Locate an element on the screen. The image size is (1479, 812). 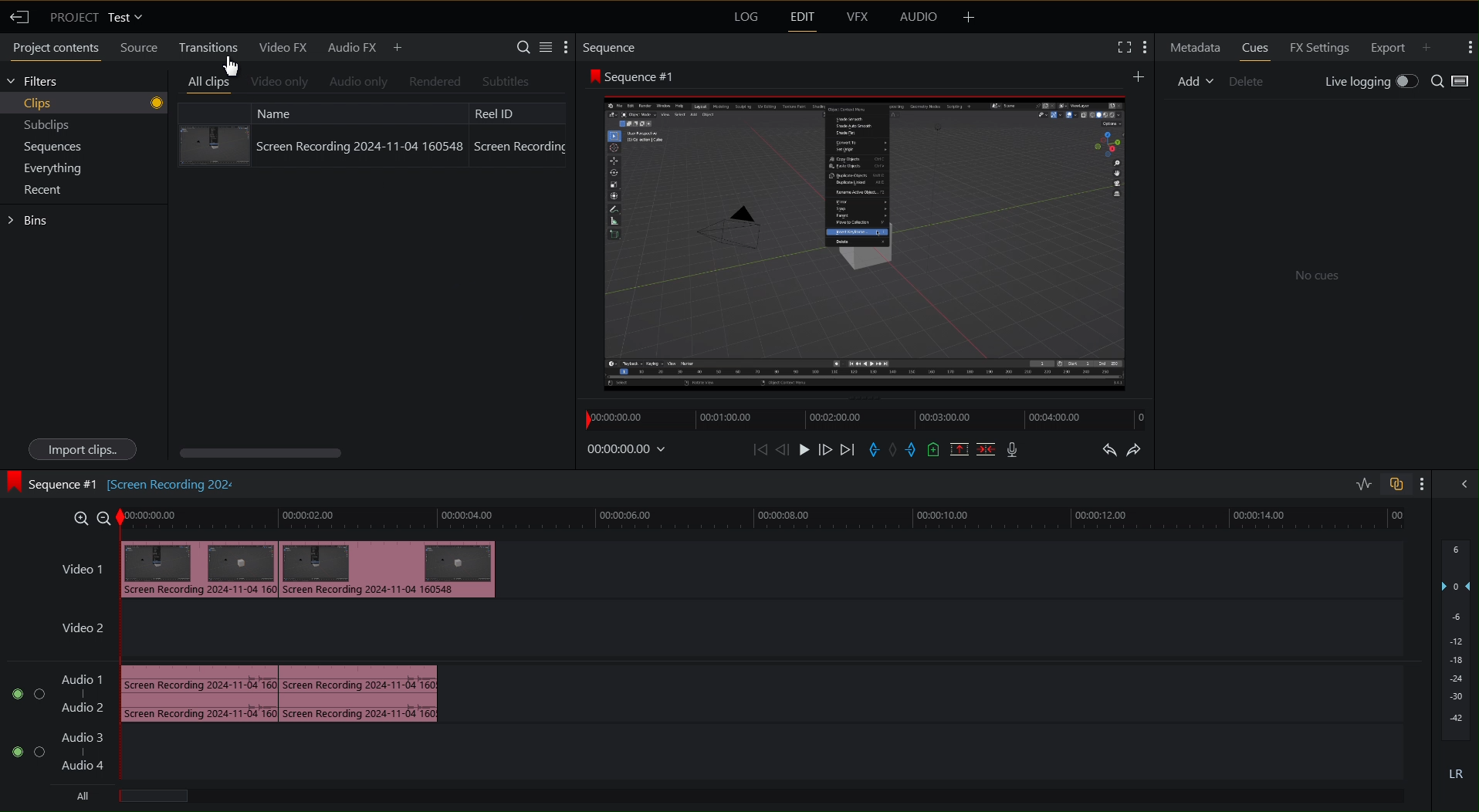
Timeline is located at coordinates (767, 519).